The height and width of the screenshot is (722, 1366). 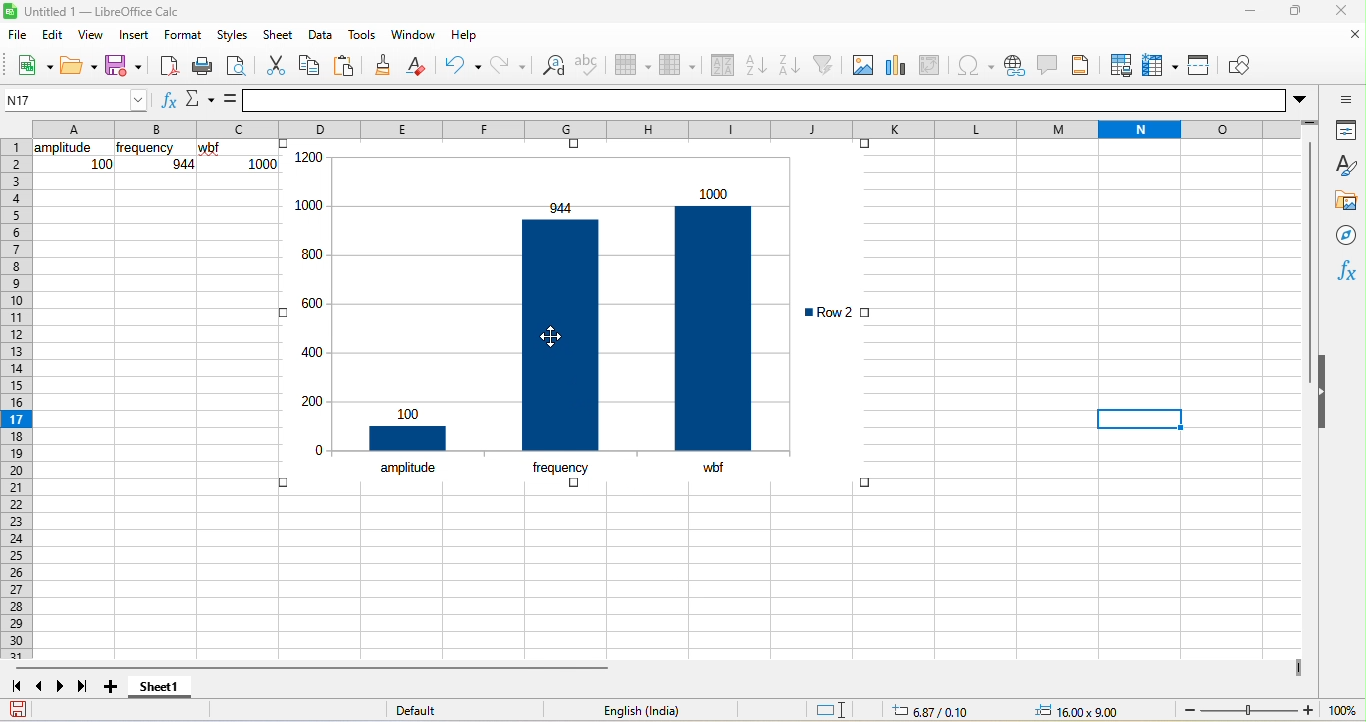 What do you see at coordinates (361, 36) in the screenshot?
I see `tools` at bounding box center [361, 36].